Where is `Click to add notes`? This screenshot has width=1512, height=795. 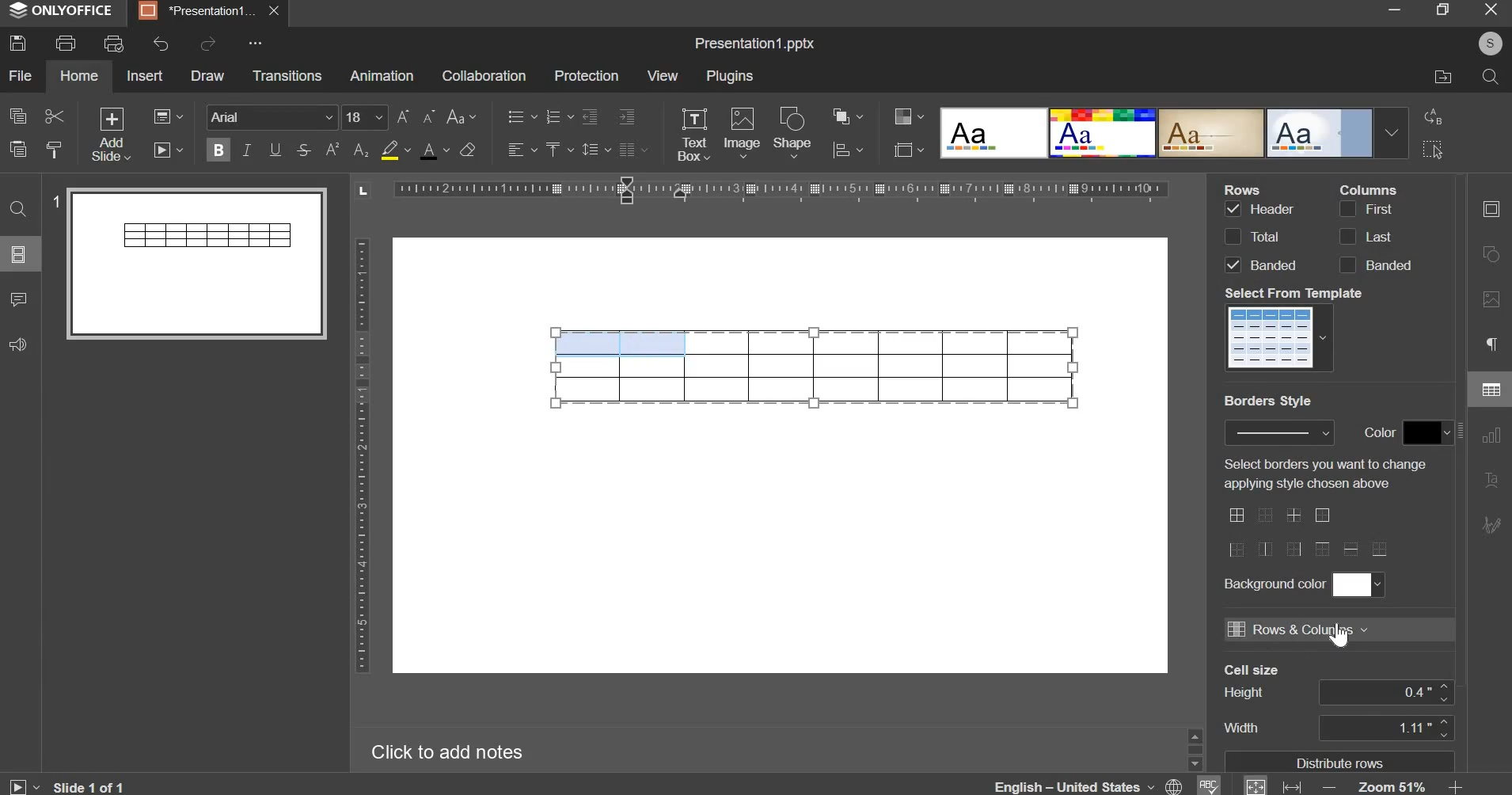
Click to add notes is located at coordinates (443, 749).